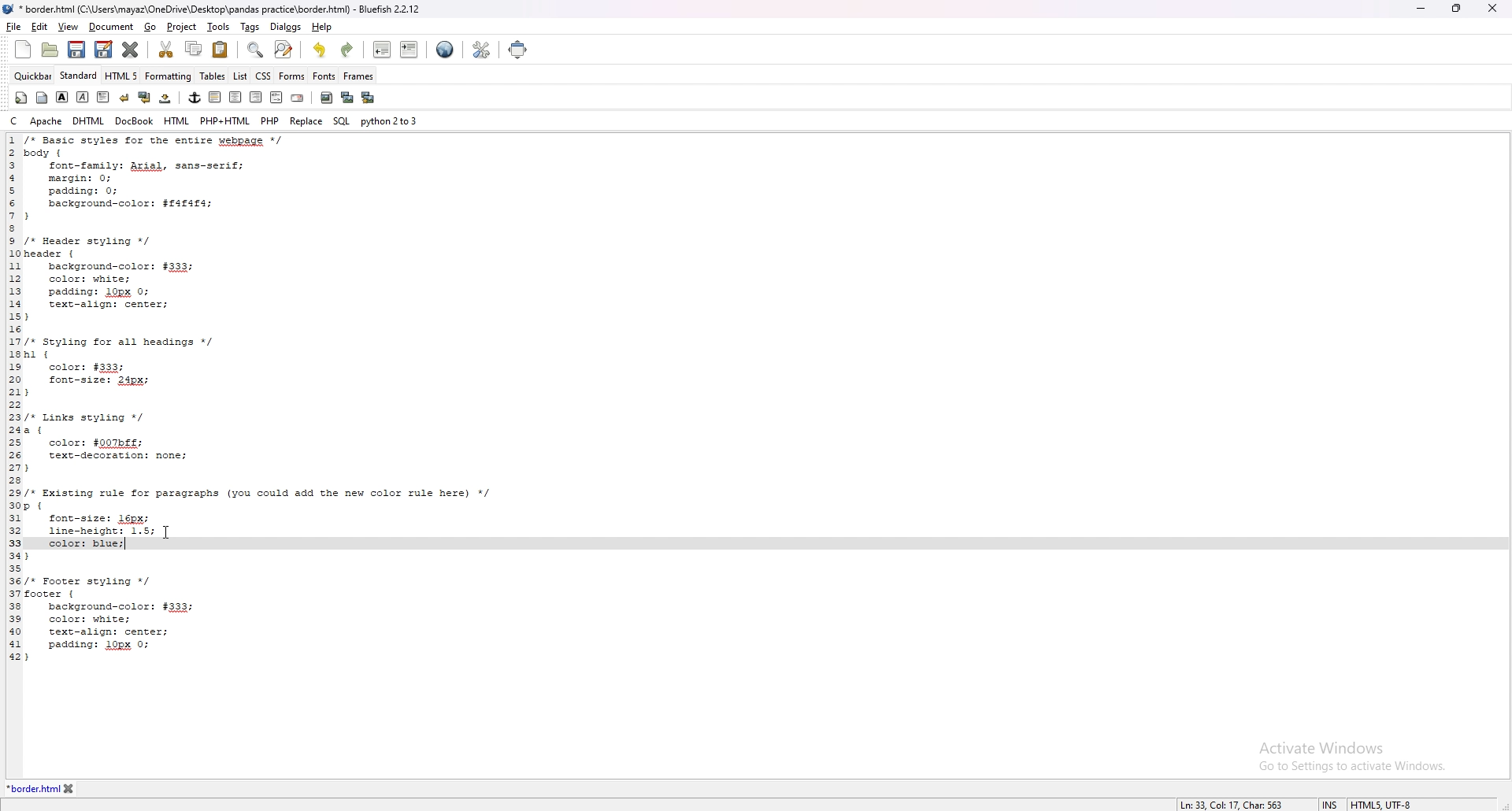  What do you see at coordinates (103, 50) in the screenshot?
I see `save as` at bounding box center [103, 50].